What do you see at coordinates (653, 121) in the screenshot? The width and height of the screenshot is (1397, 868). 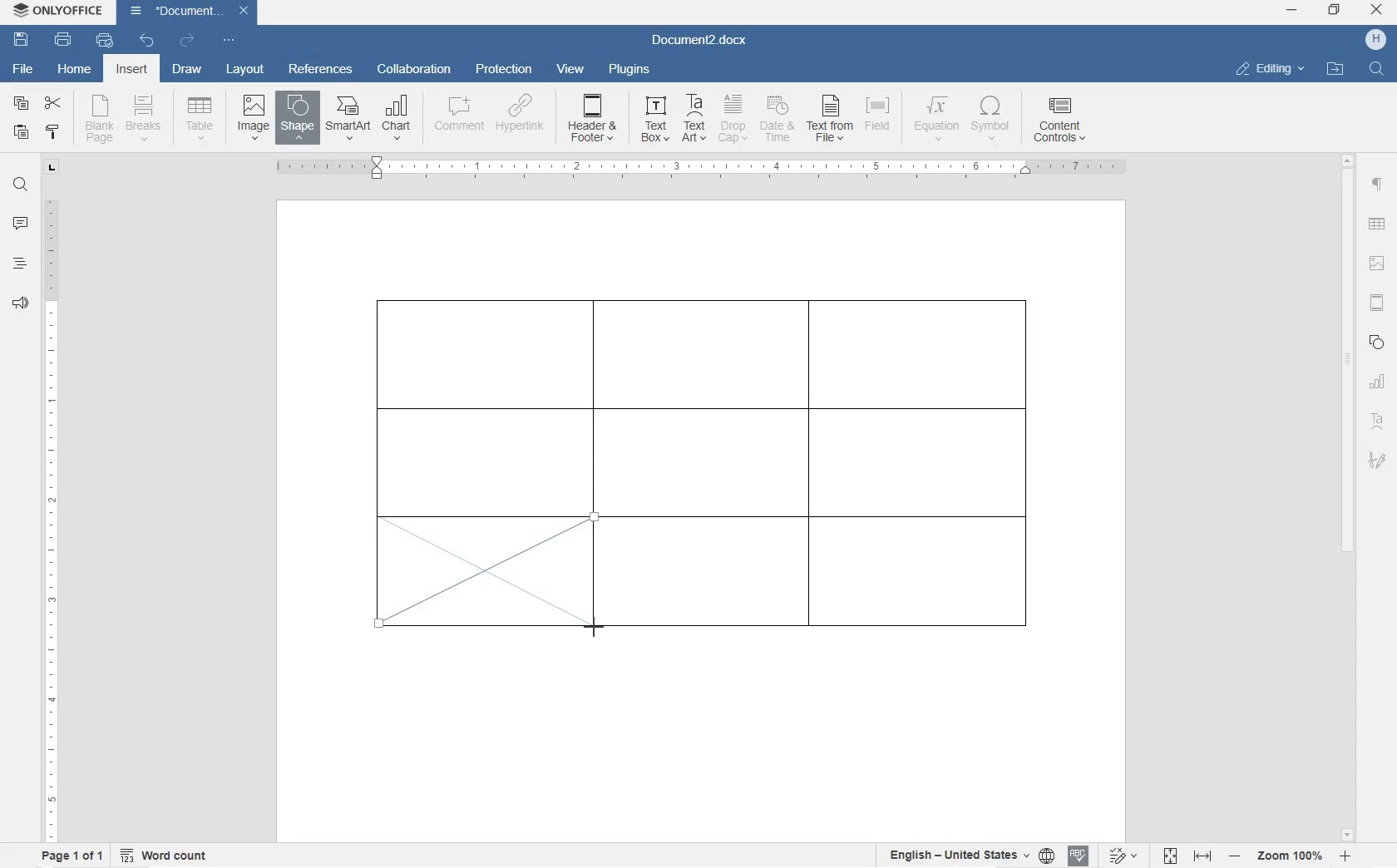 I see `TEXT BOX` at bounding box center [653, 121].